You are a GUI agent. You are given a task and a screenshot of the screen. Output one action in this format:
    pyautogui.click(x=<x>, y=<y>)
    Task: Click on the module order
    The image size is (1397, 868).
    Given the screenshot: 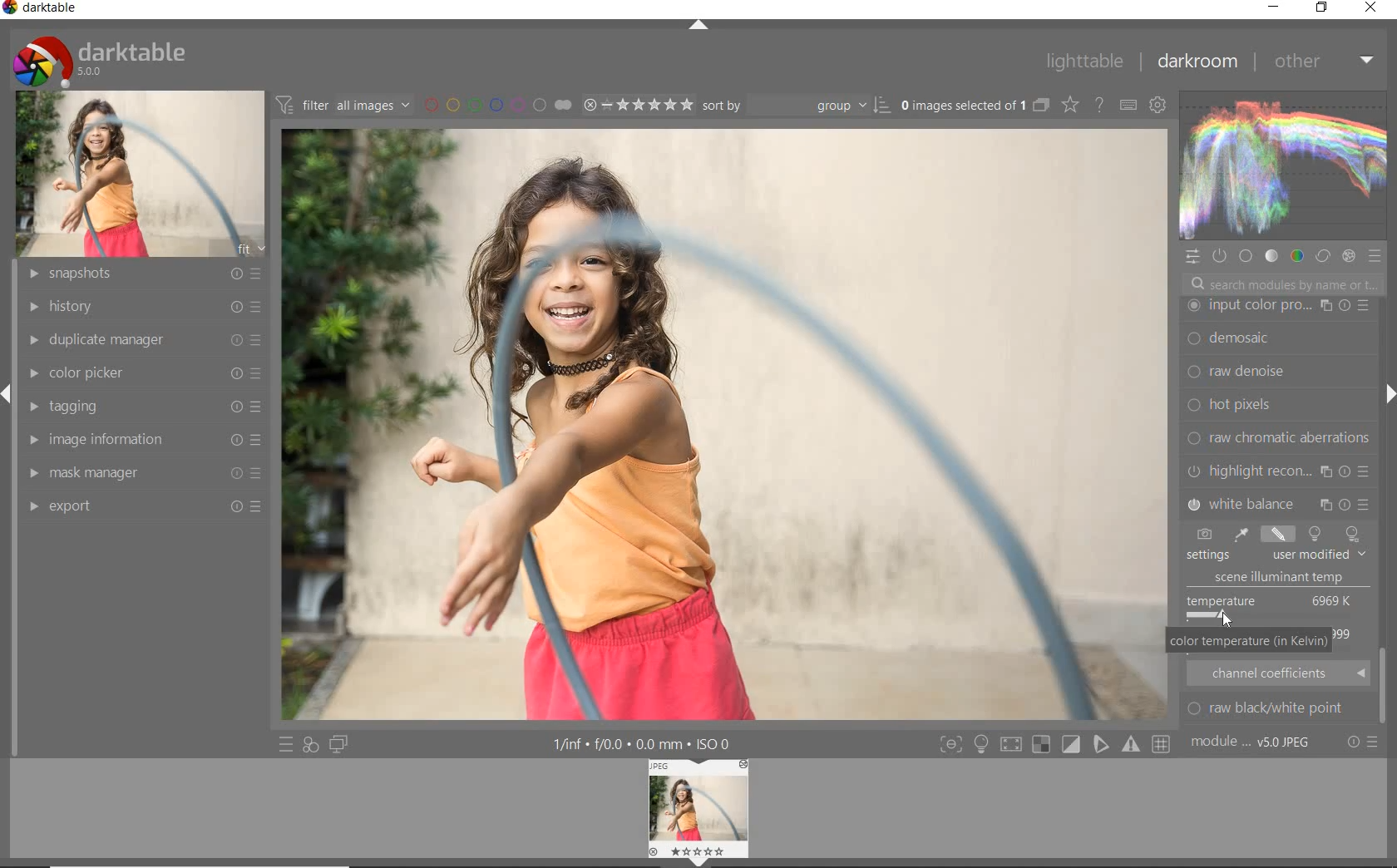 What is the action you would take?
    pyautogui.click(x=1253, y=743)
    